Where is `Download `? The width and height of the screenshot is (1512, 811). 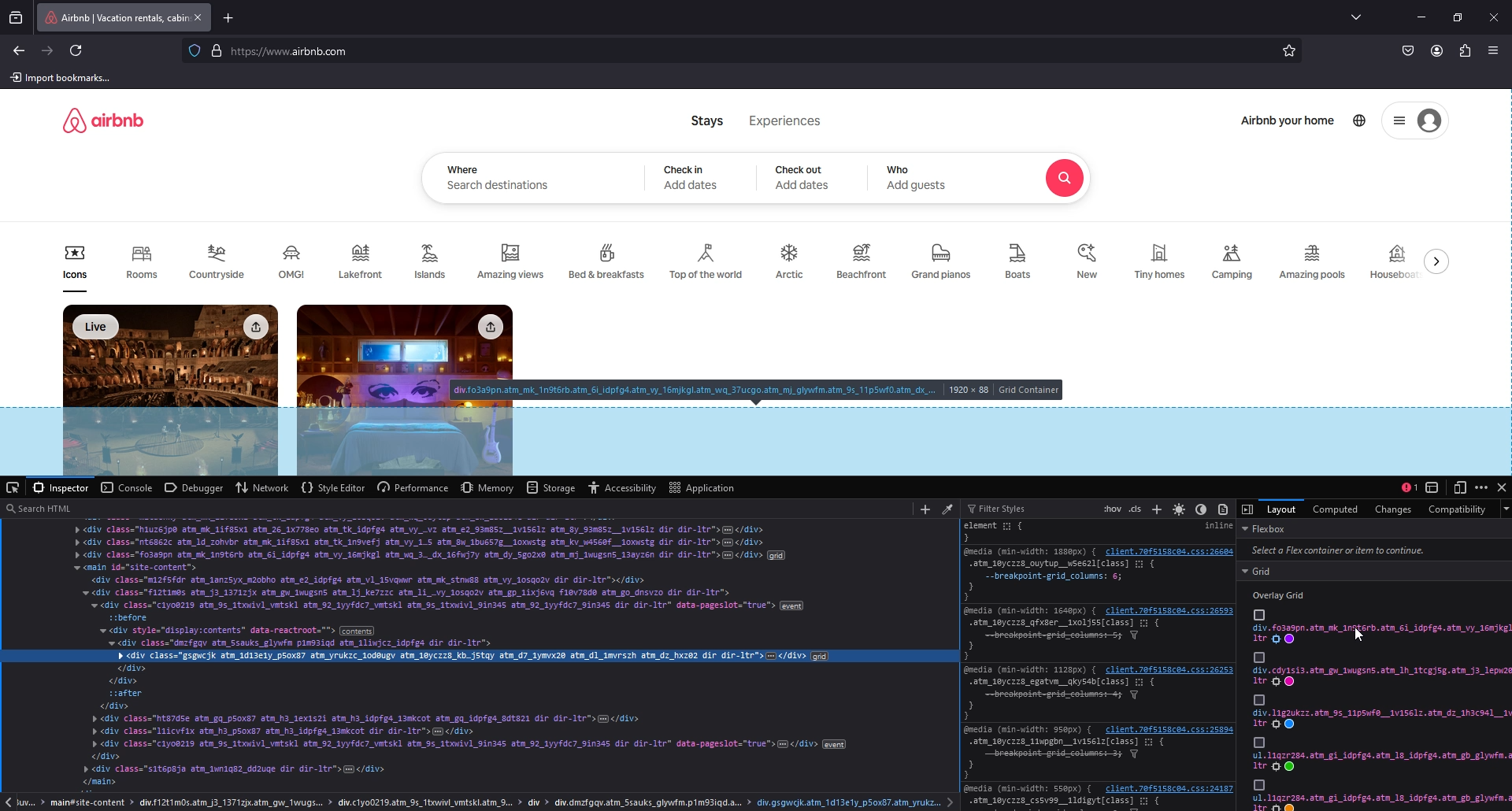
Download  is located at coordinates (254, 327).